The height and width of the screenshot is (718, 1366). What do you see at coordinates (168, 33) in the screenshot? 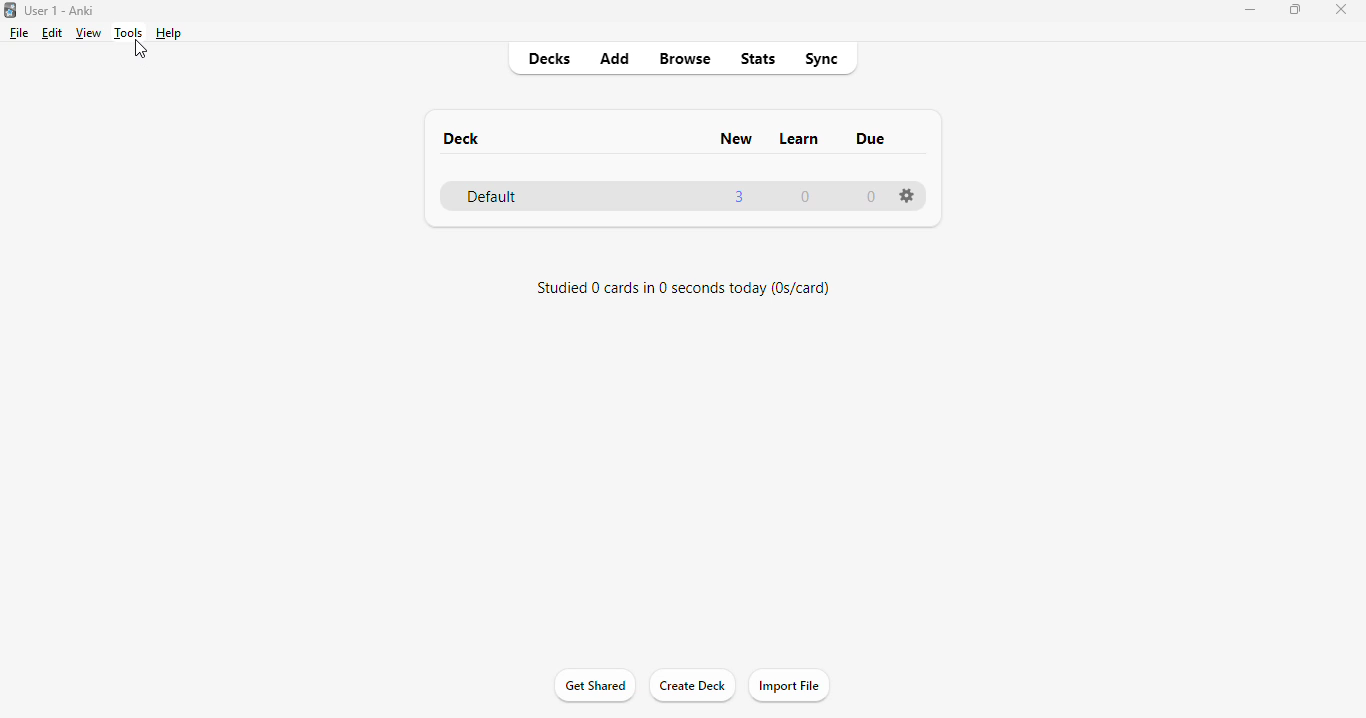
I see `help` at bounding box center [168, 33].